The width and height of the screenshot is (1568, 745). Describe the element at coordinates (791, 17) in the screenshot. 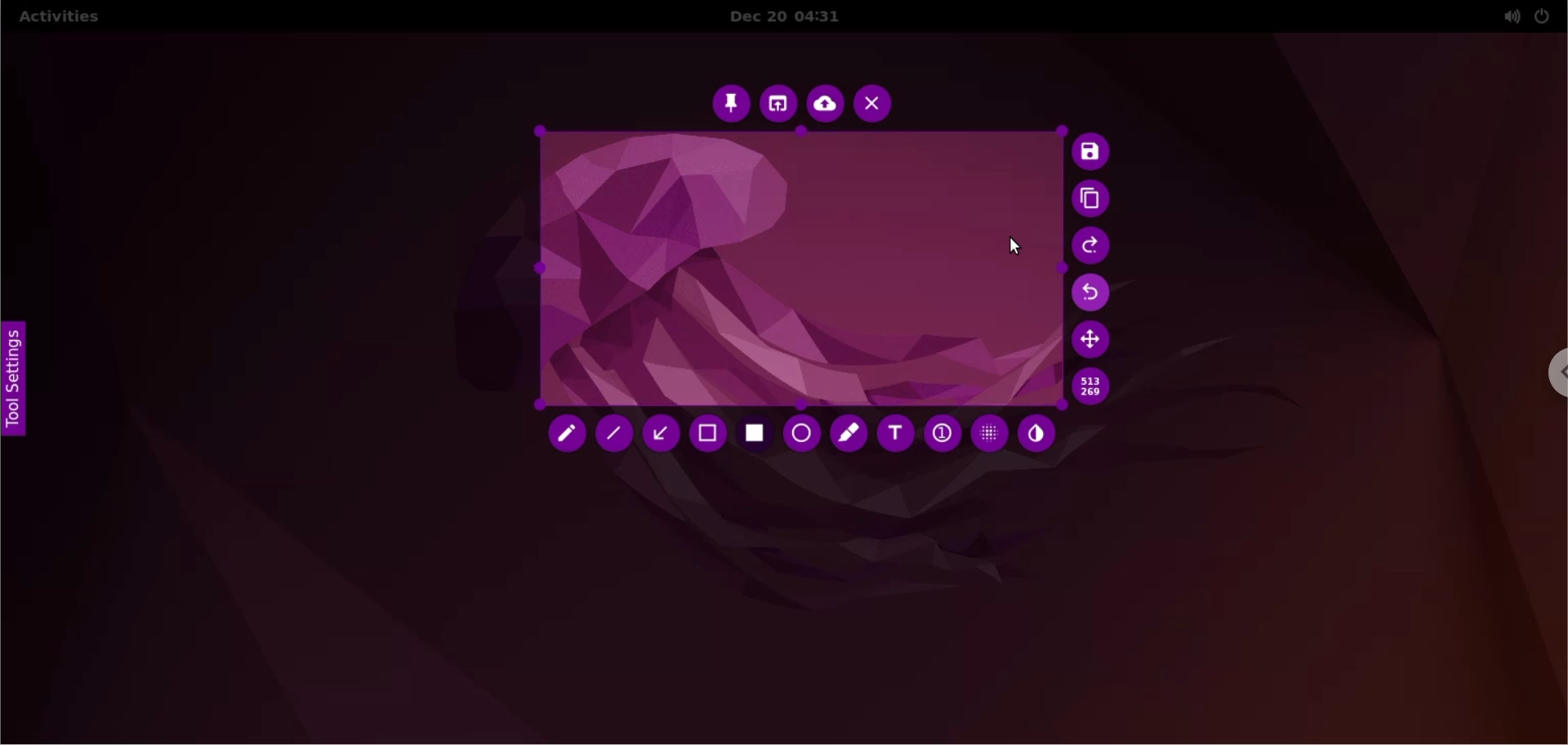

I see `Dec 20 04:31` at that location.